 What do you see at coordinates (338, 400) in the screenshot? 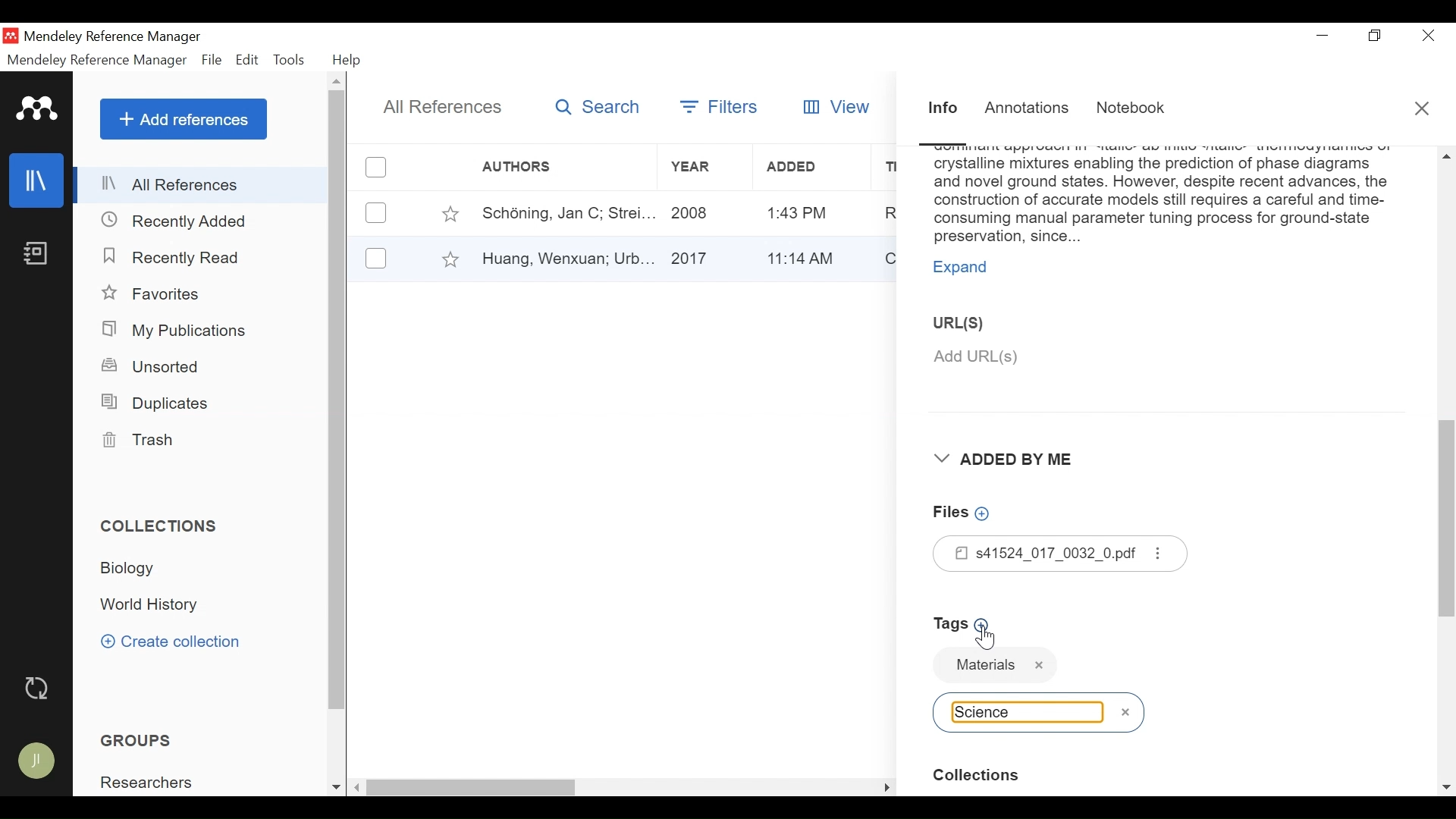
I see `Vertical Scroll bar` at bounding box center [338, 400].